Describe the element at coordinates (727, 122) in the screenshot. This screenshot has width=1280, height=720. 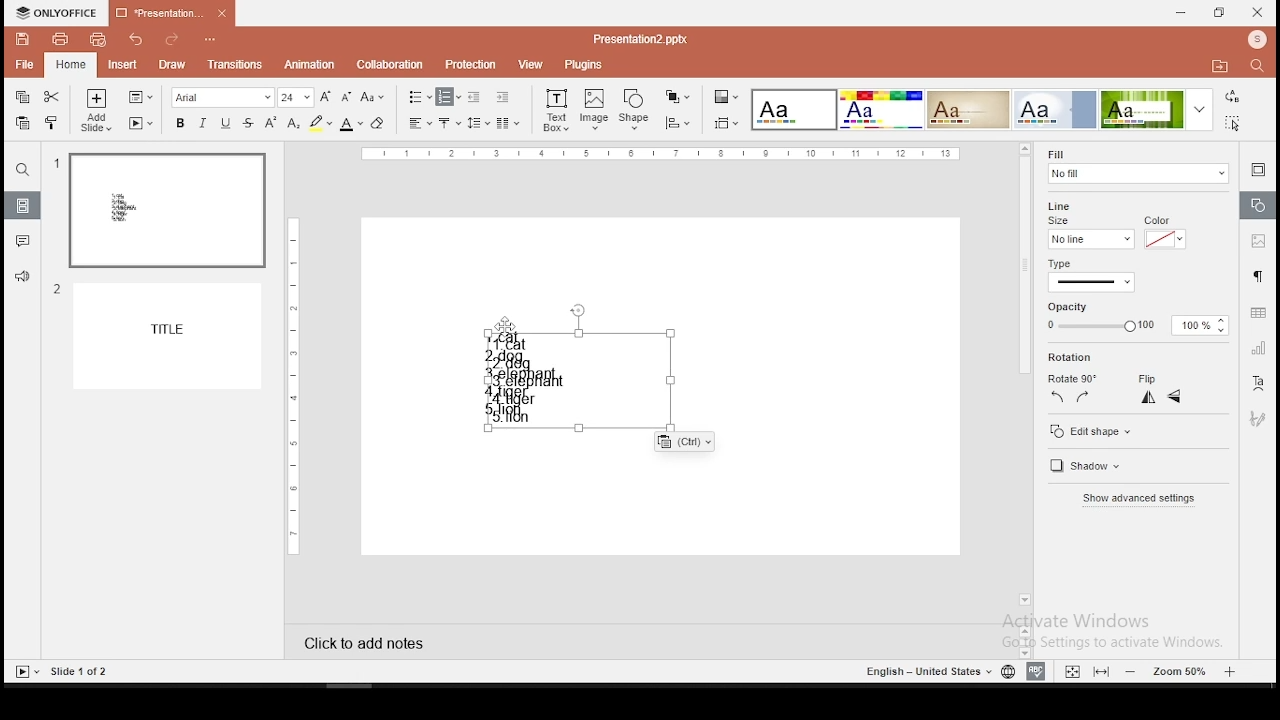
I see `select slide size` at that location.